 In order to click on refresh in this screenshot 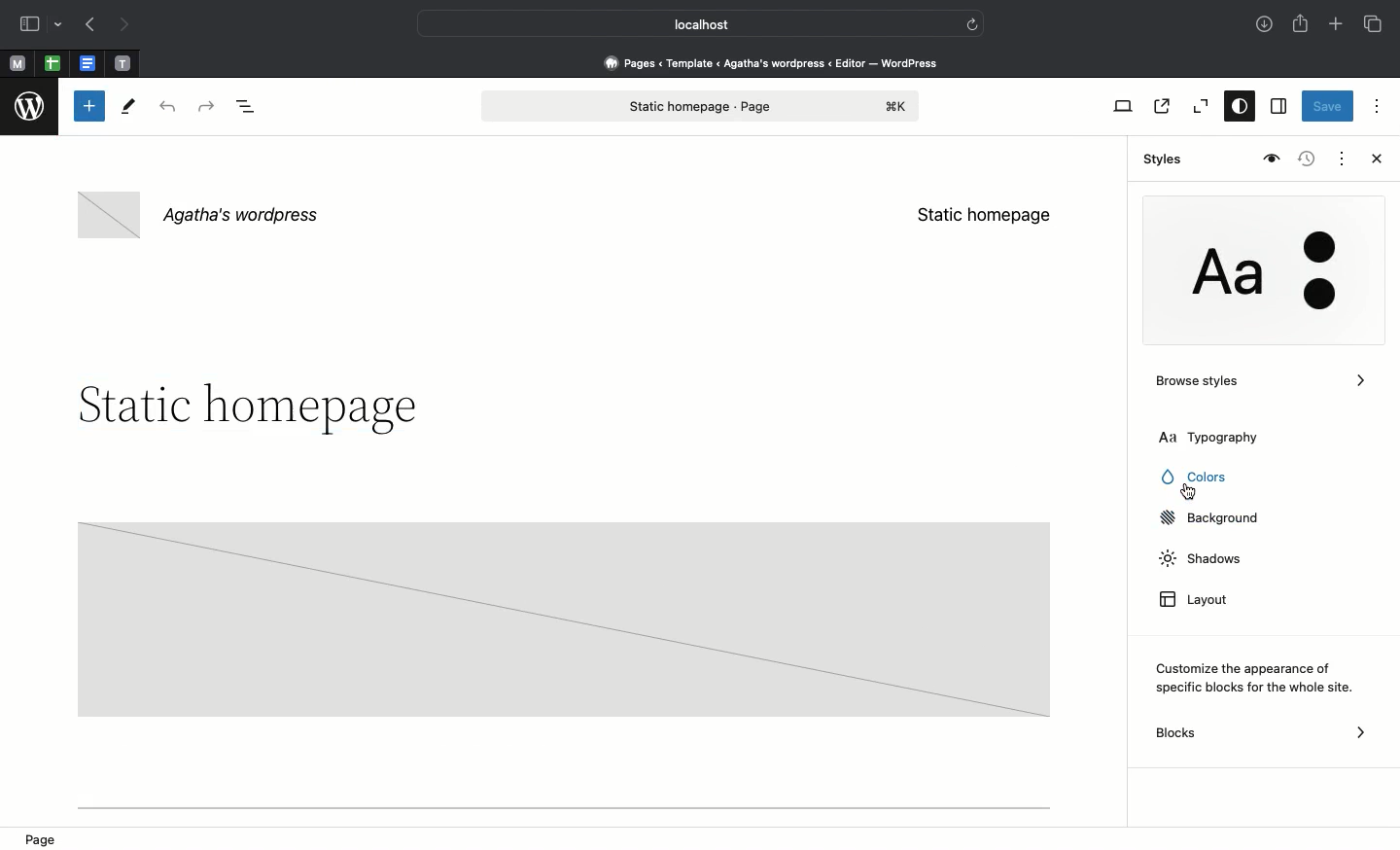, I will do `click(972, 22)`.